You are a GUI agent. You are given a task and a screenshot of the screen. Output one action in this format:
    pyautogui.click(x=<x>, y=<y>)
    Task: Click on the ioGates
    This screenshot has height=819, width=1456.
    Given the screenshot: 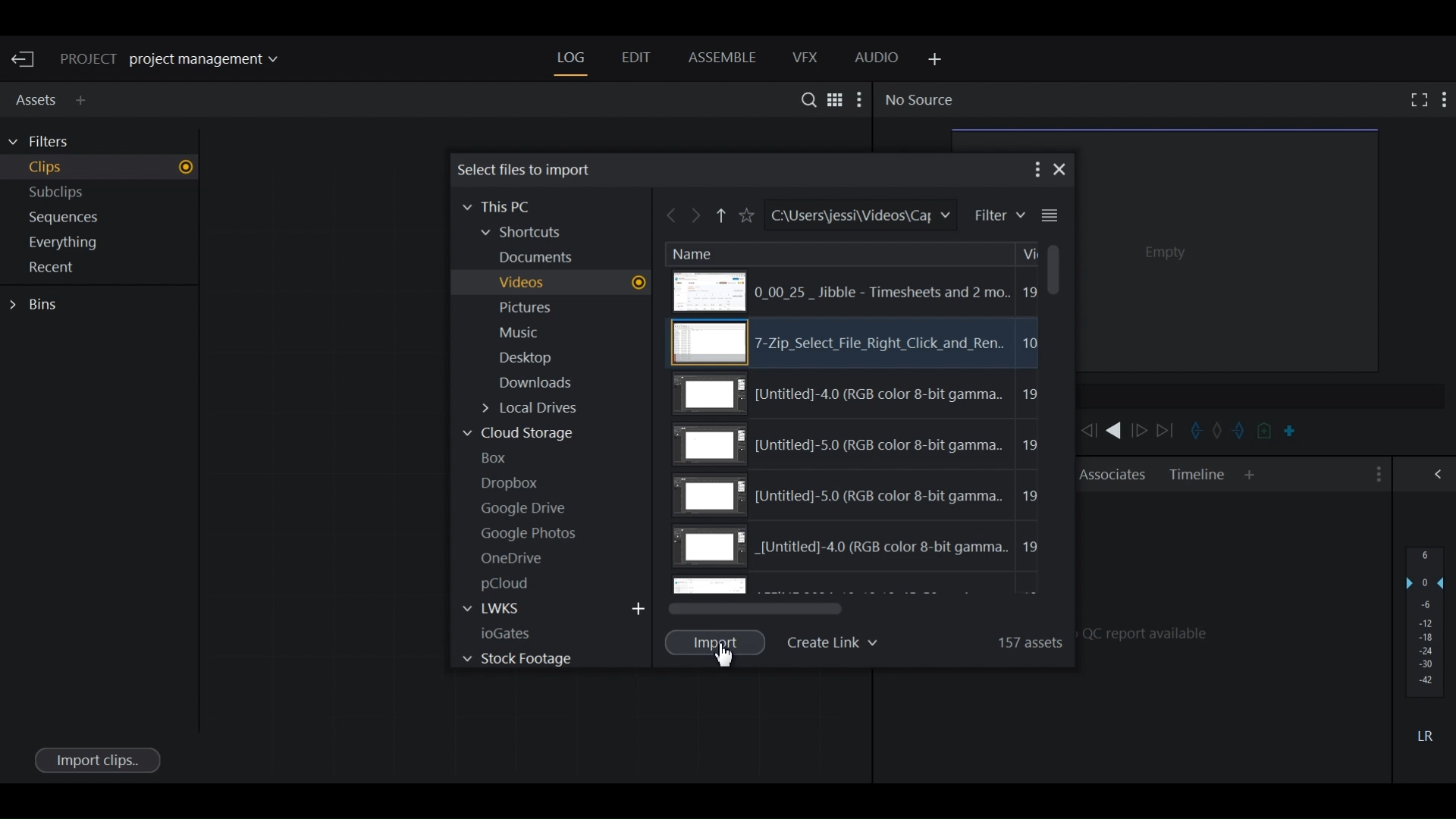 What is the action you would take?
    pyautogui.click(x=522, y=632)
    